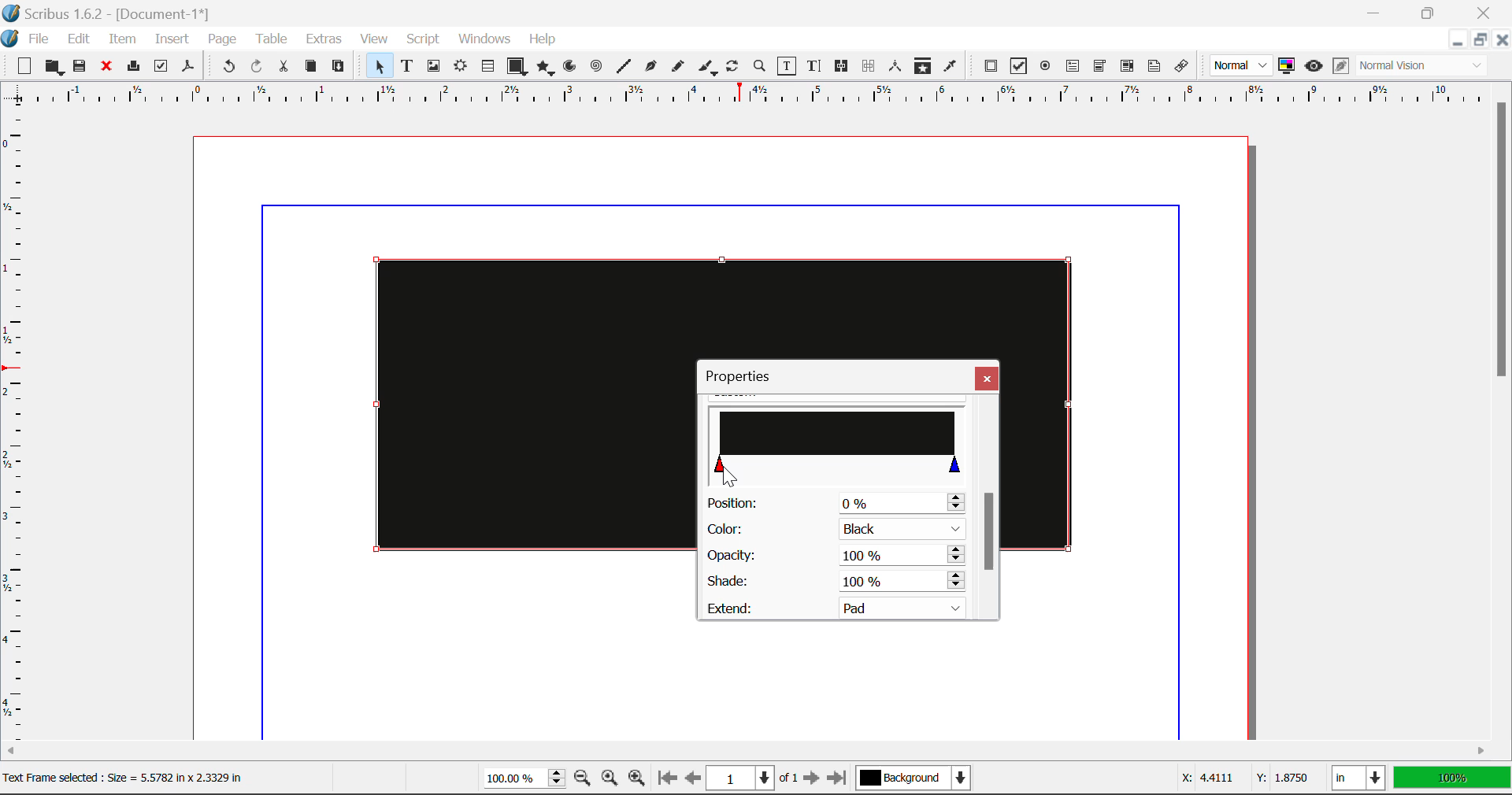 This screenshot has width=1512, height=795. What do you see at coordinates (665, 779) in the screenshot?
I see `First Page` at bounding box center [665, 779].